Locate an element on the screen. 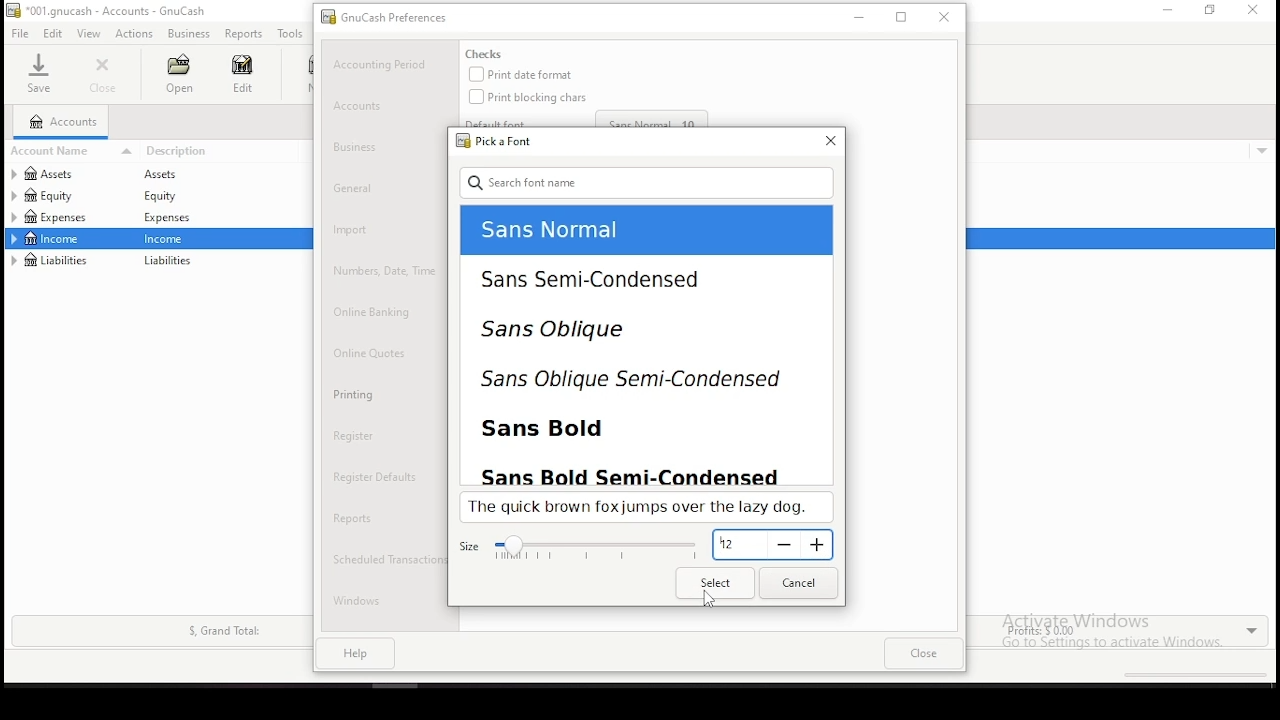  mouse pointer is located at coordinates (709, 603).